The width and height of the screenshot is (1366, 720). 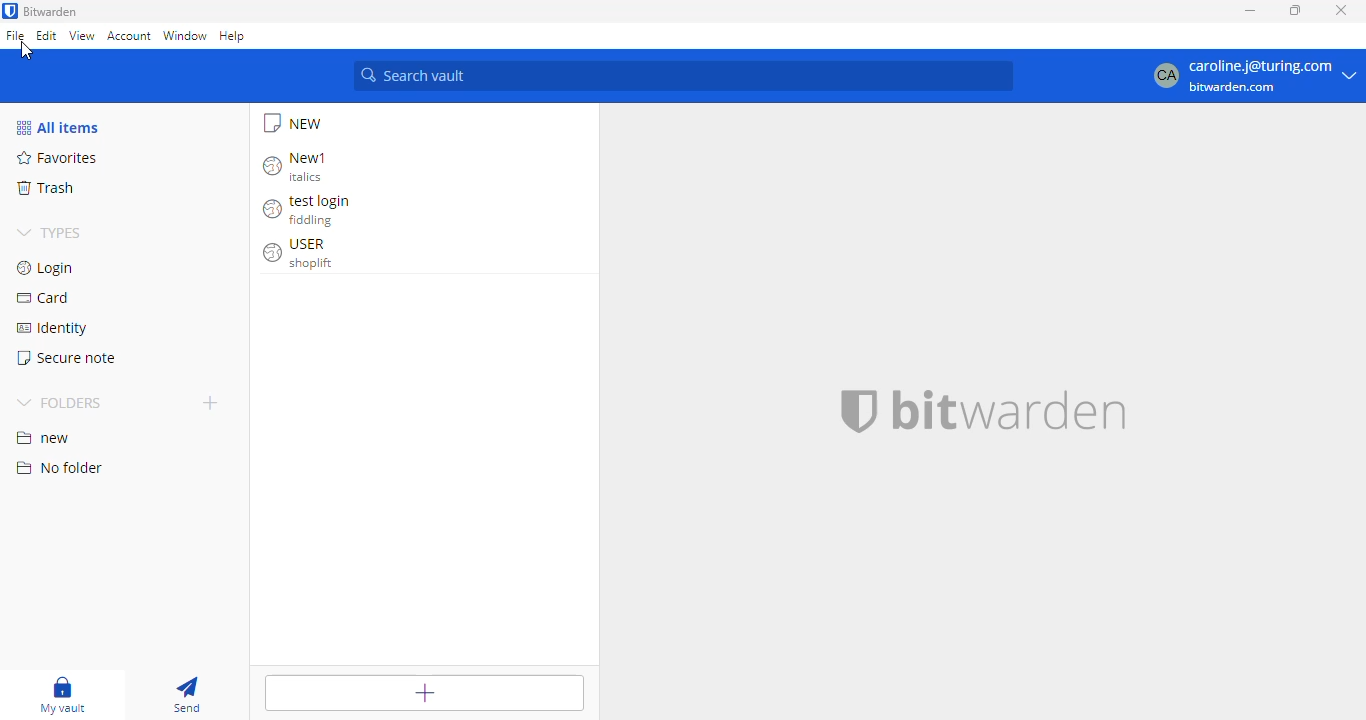 What do you see at coordinates (424, 692) in the screenshot?
I see `add item` at bounding box center [424, 692].